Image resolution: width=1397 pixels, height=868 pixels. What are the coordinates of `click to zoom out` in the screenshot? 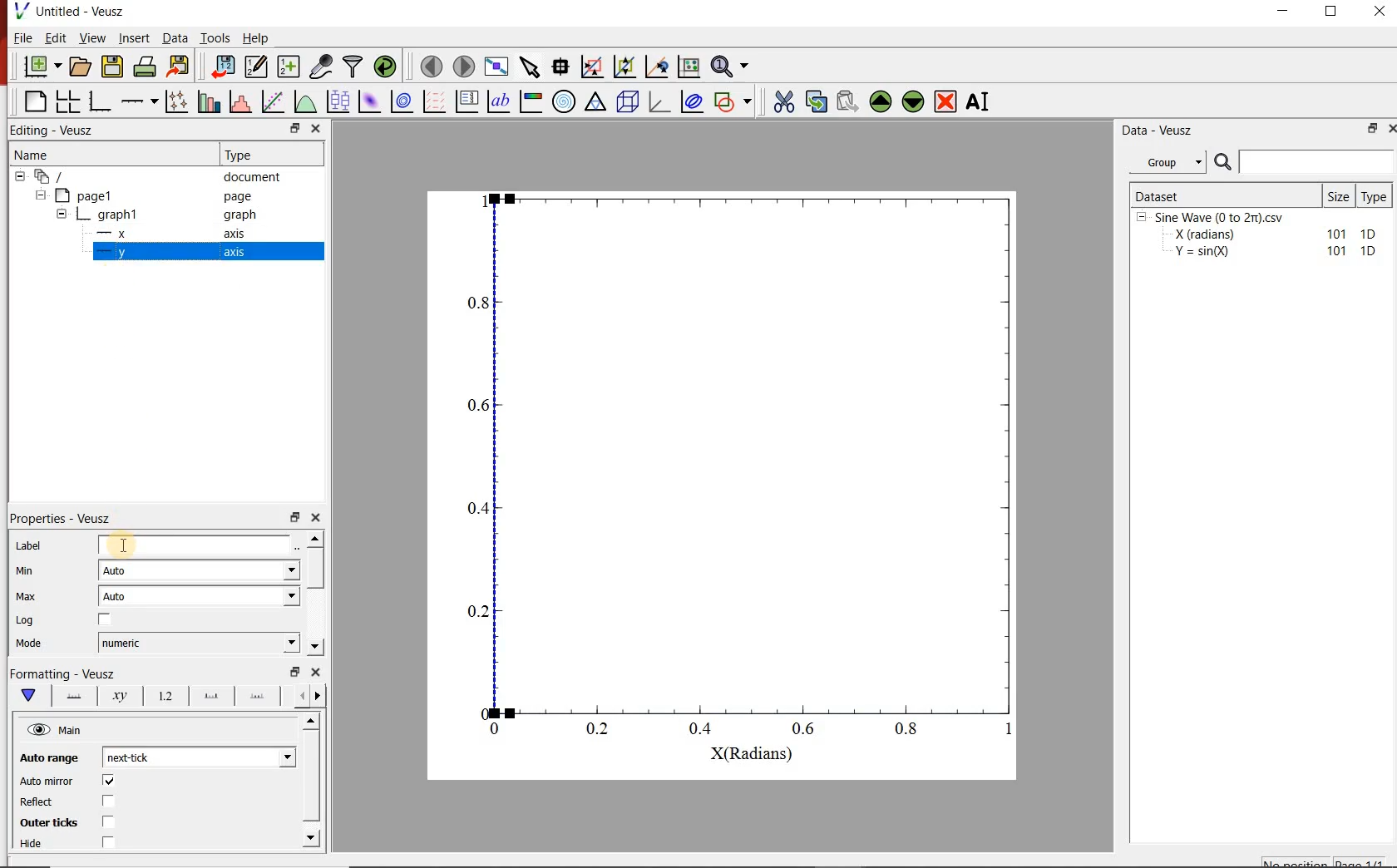 It's located at (627, 65).